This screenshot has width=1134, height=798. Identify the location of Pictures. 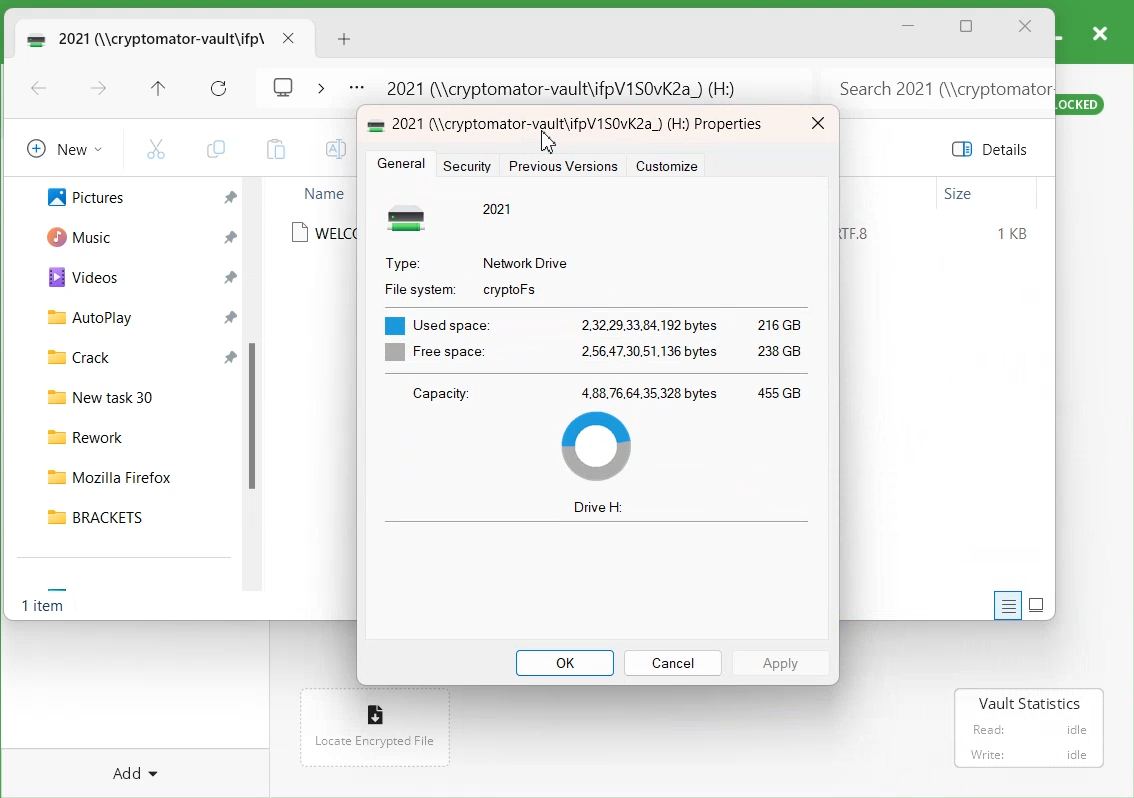
(75, 195).